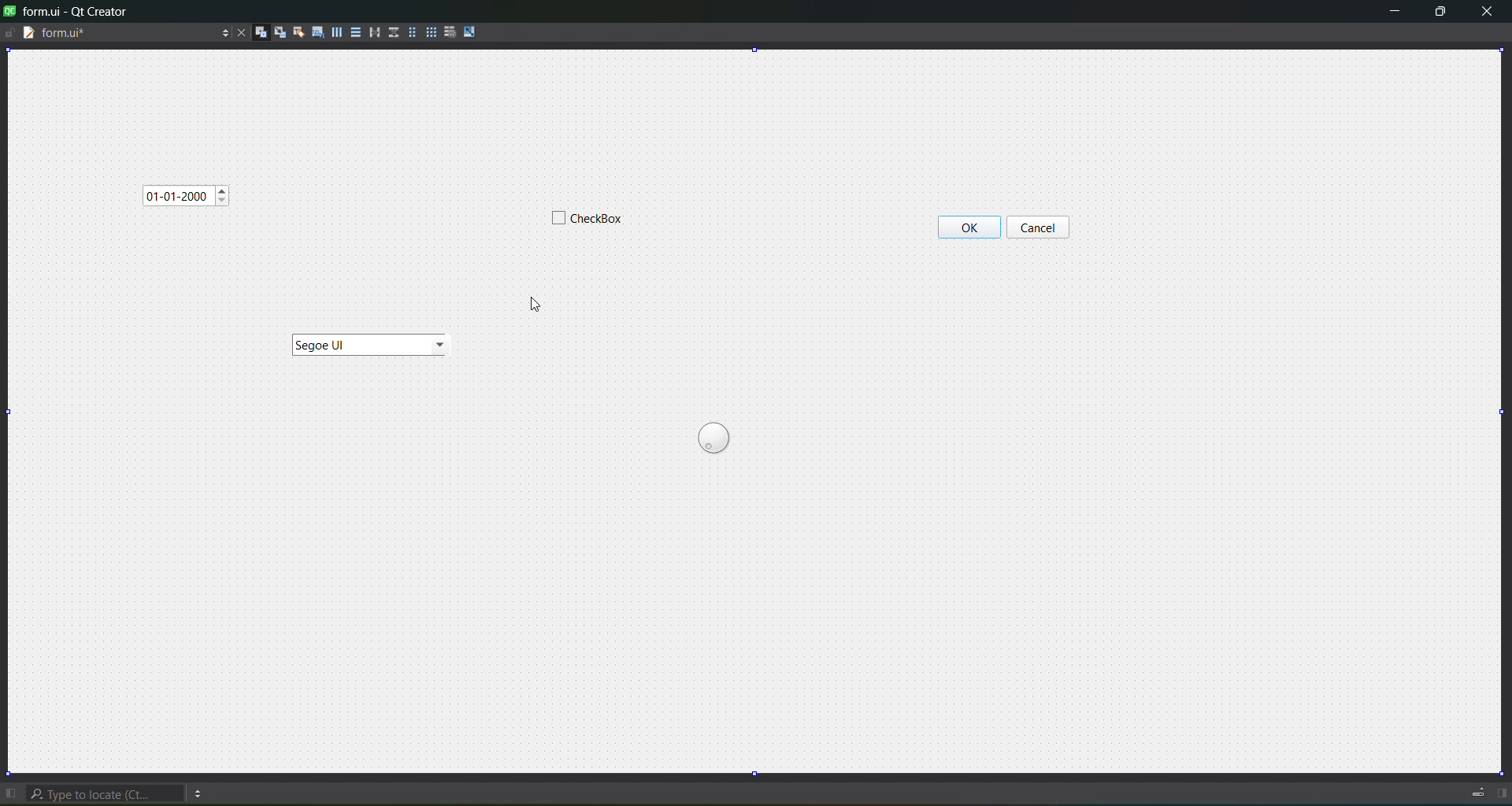  Describe the element at coordinates (411, 31) in the screenshot. I see `layout in a form` at that location.